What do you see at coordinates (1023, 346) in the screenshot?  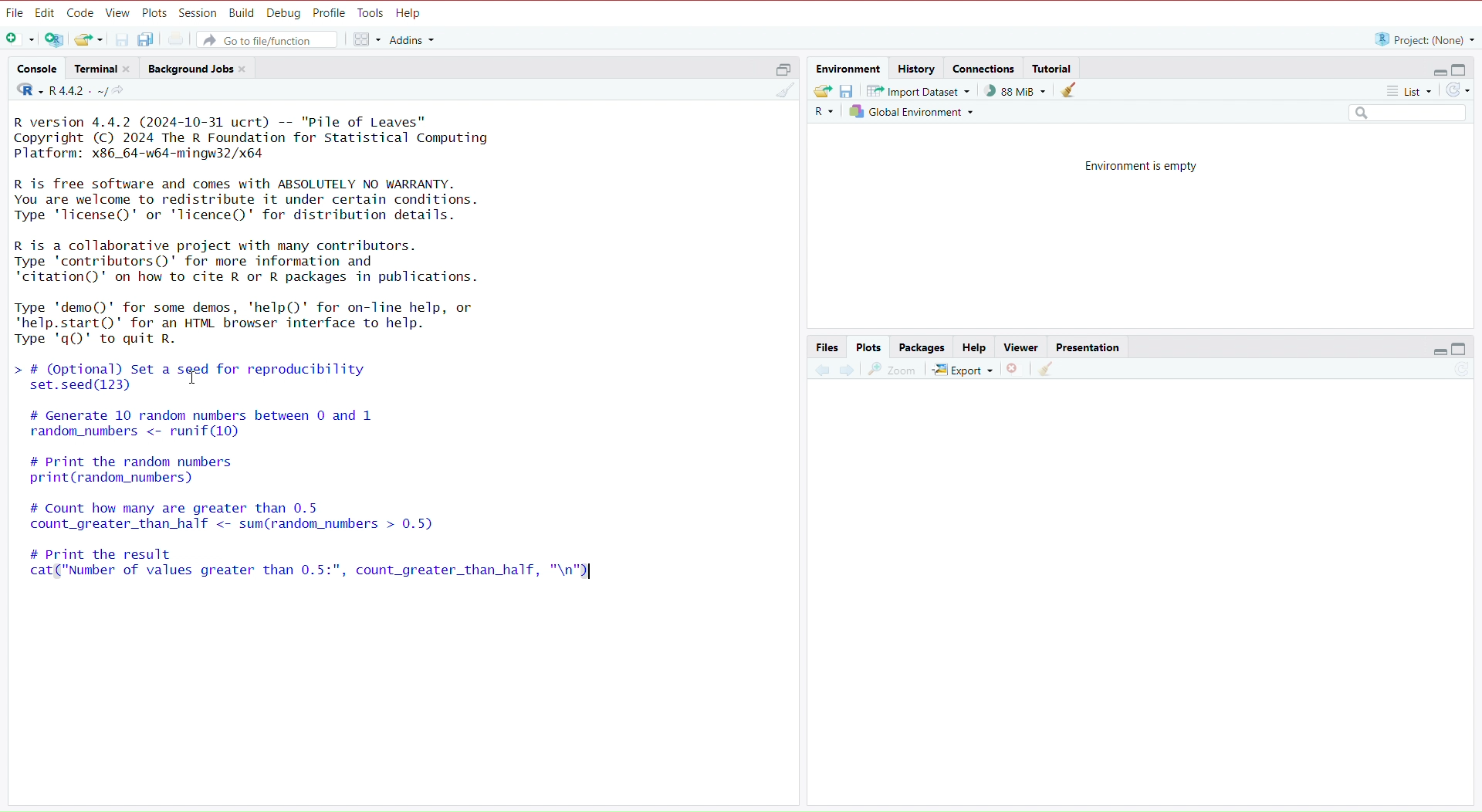 I see `Viewer` at bounding box center [1023, 346].